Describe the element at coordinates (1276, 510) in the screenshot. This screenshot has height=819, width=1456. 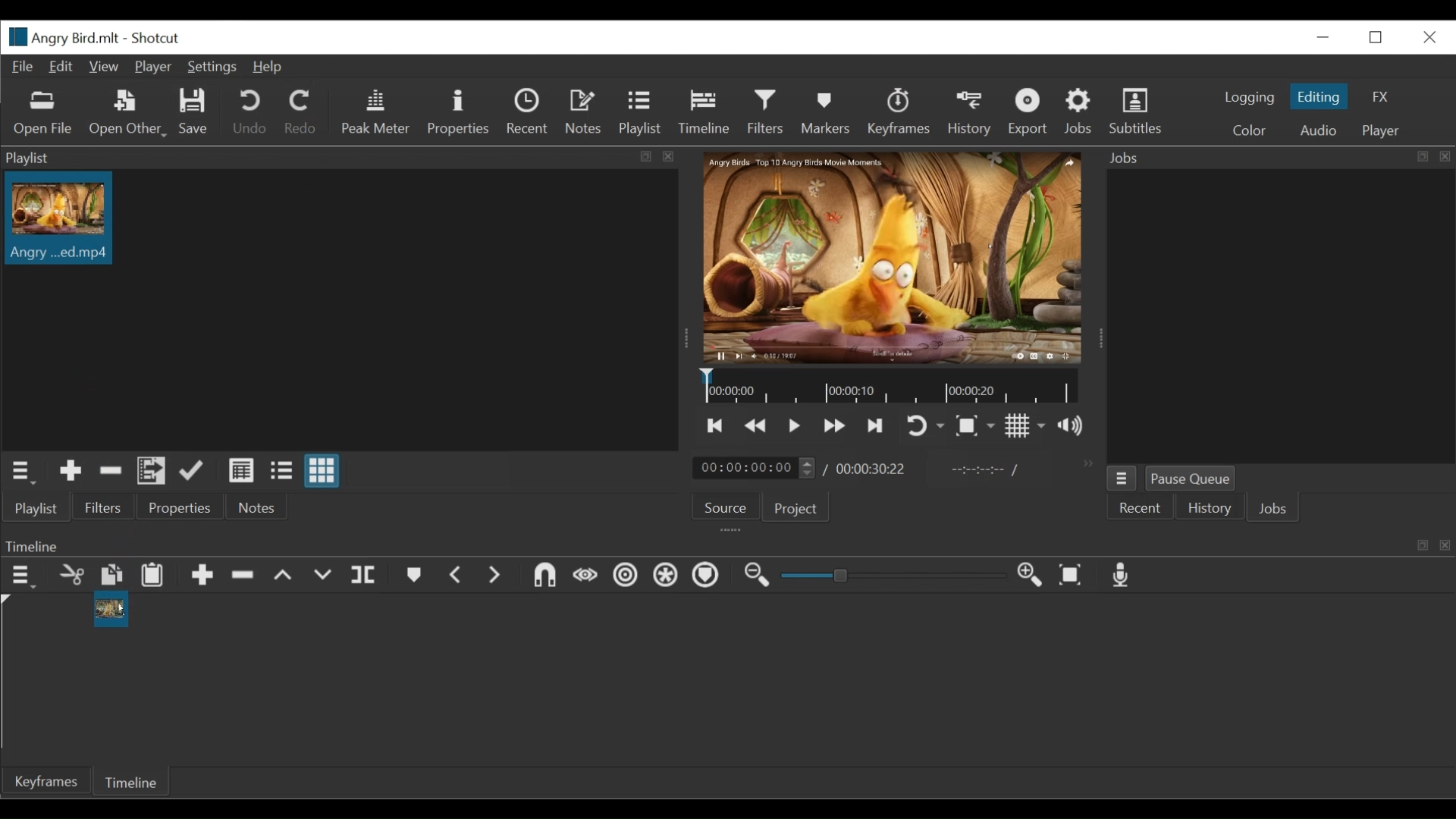
I see `Jobs` at that location.